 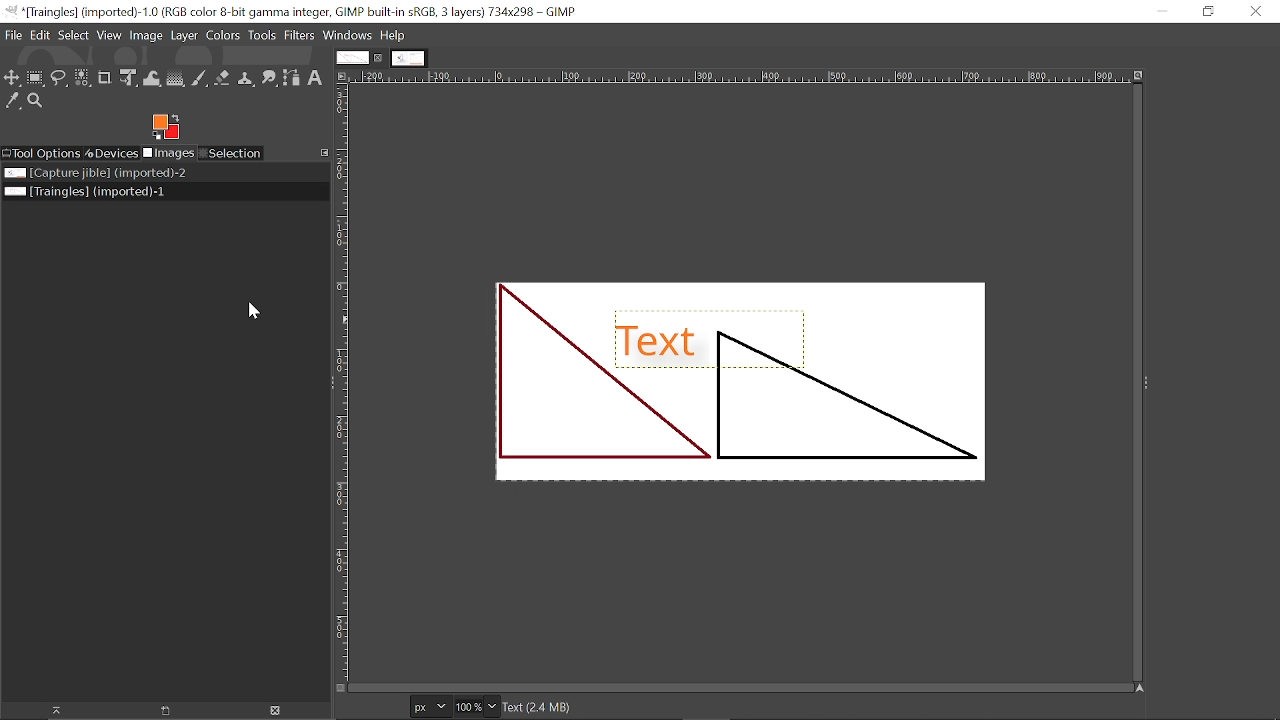 What do you see at coordinates (300, 36) in the screenshot?
I see `Filters` at bounding box center [300, 36].